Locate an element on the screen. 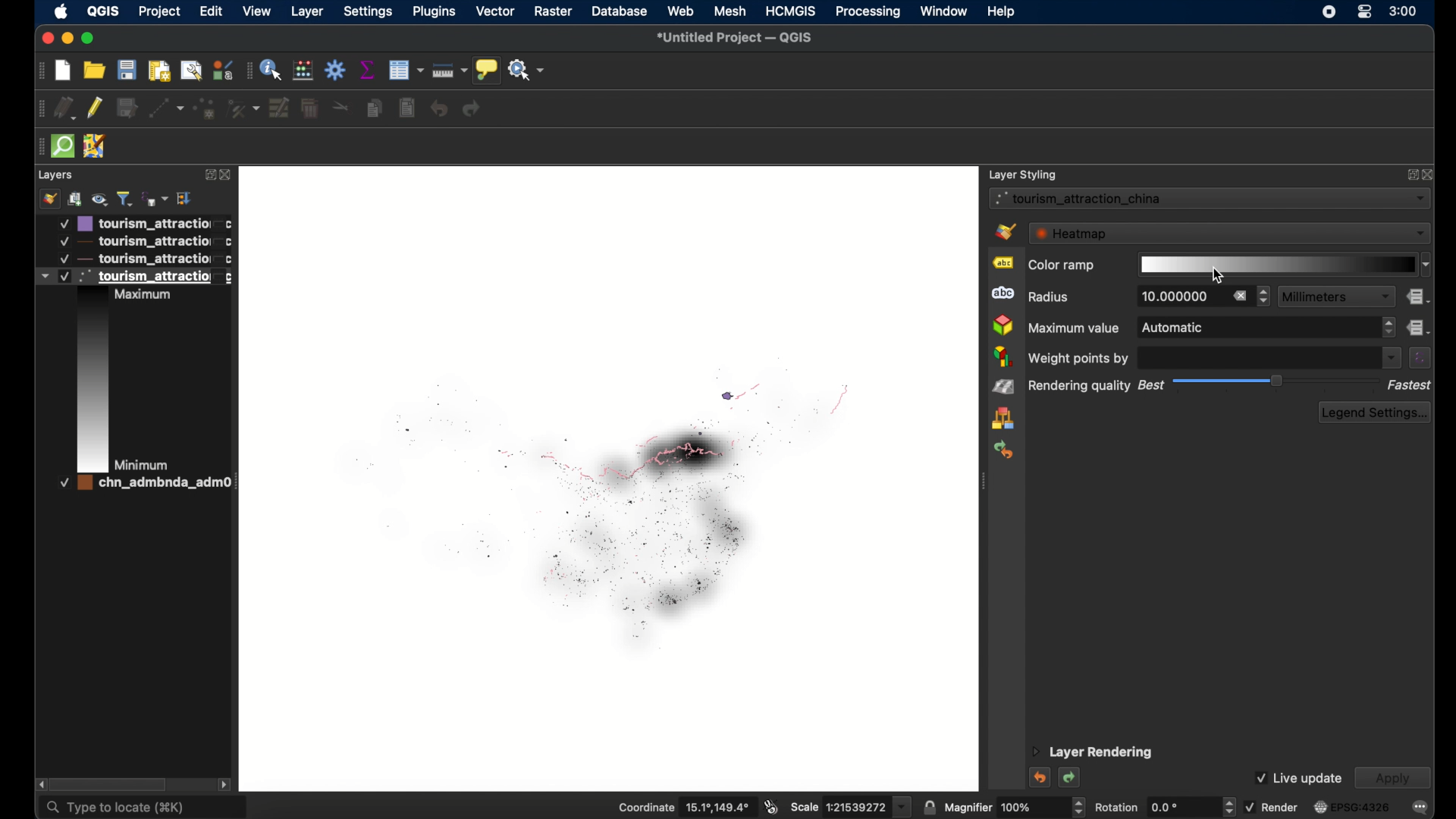 The height and width of the screenshot is (819, 1456). identify features is located at coordinates (271, 71).